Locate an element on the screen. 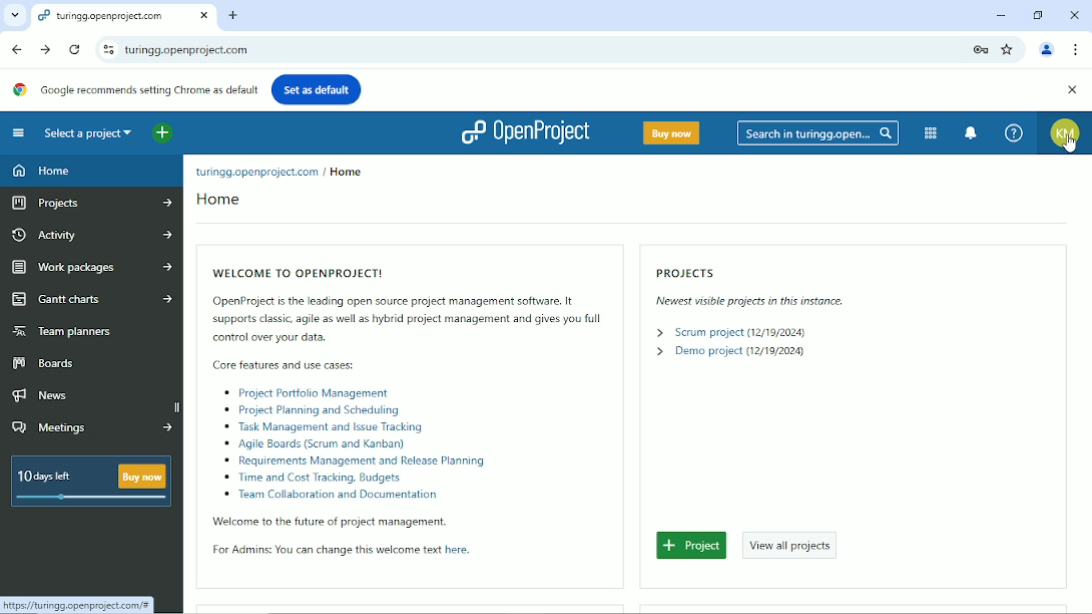 This screenshot has width=1092, height=614. Forward is located at coordinates (44, 49).